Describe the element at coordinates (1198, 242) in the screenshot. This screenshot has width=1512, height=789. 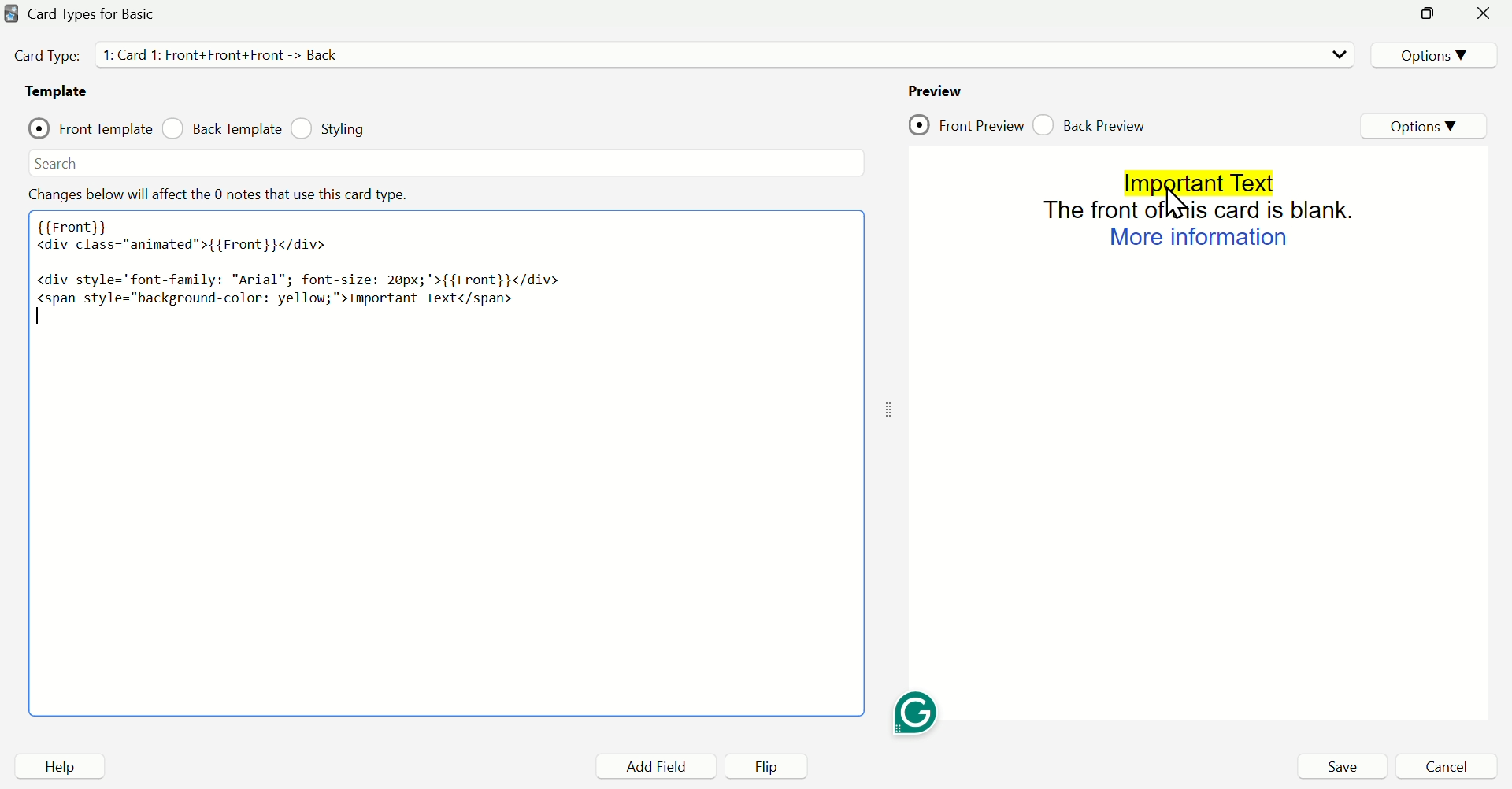
I see `More Information` at that location.